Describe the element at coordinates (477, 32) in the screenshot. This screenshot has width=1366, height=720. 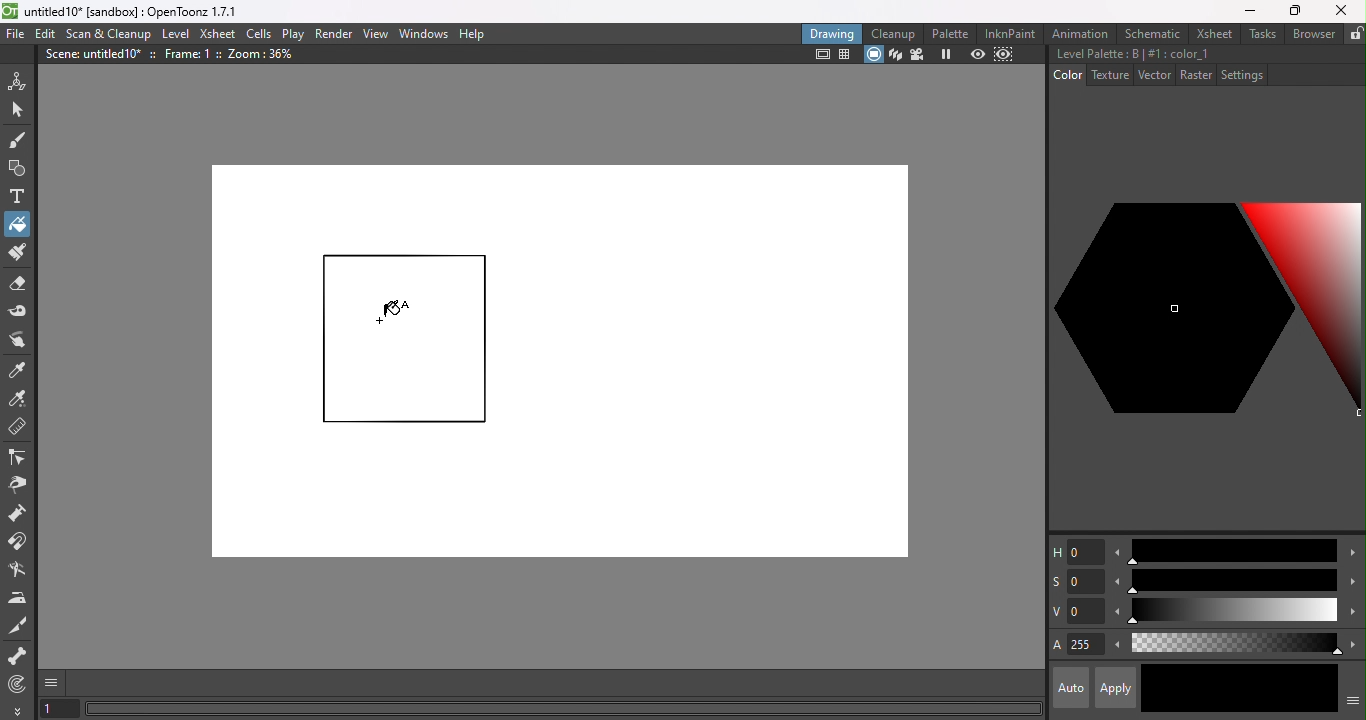
I see `Help` at that location.